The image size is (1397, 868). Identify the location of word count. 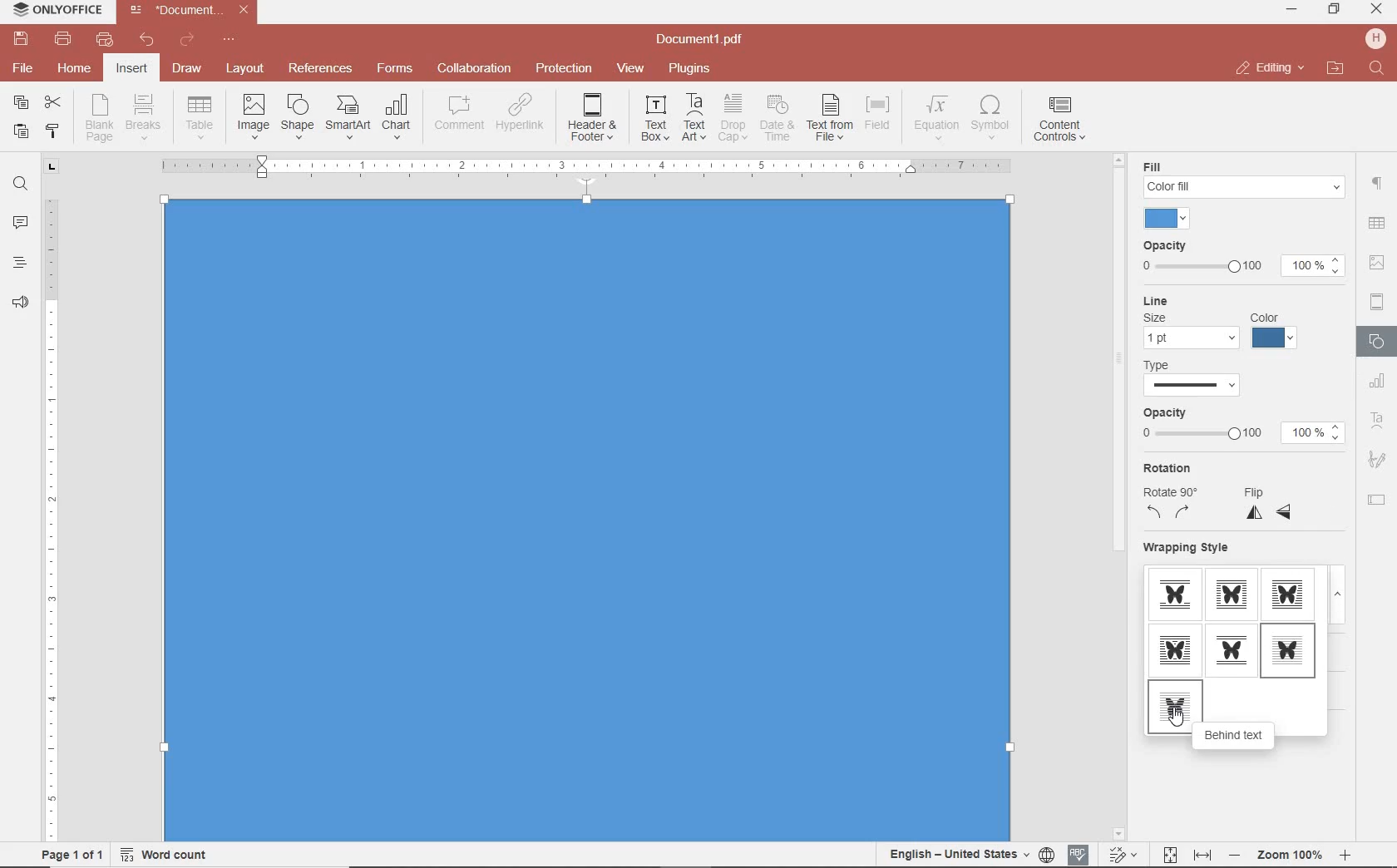
(170, 855).